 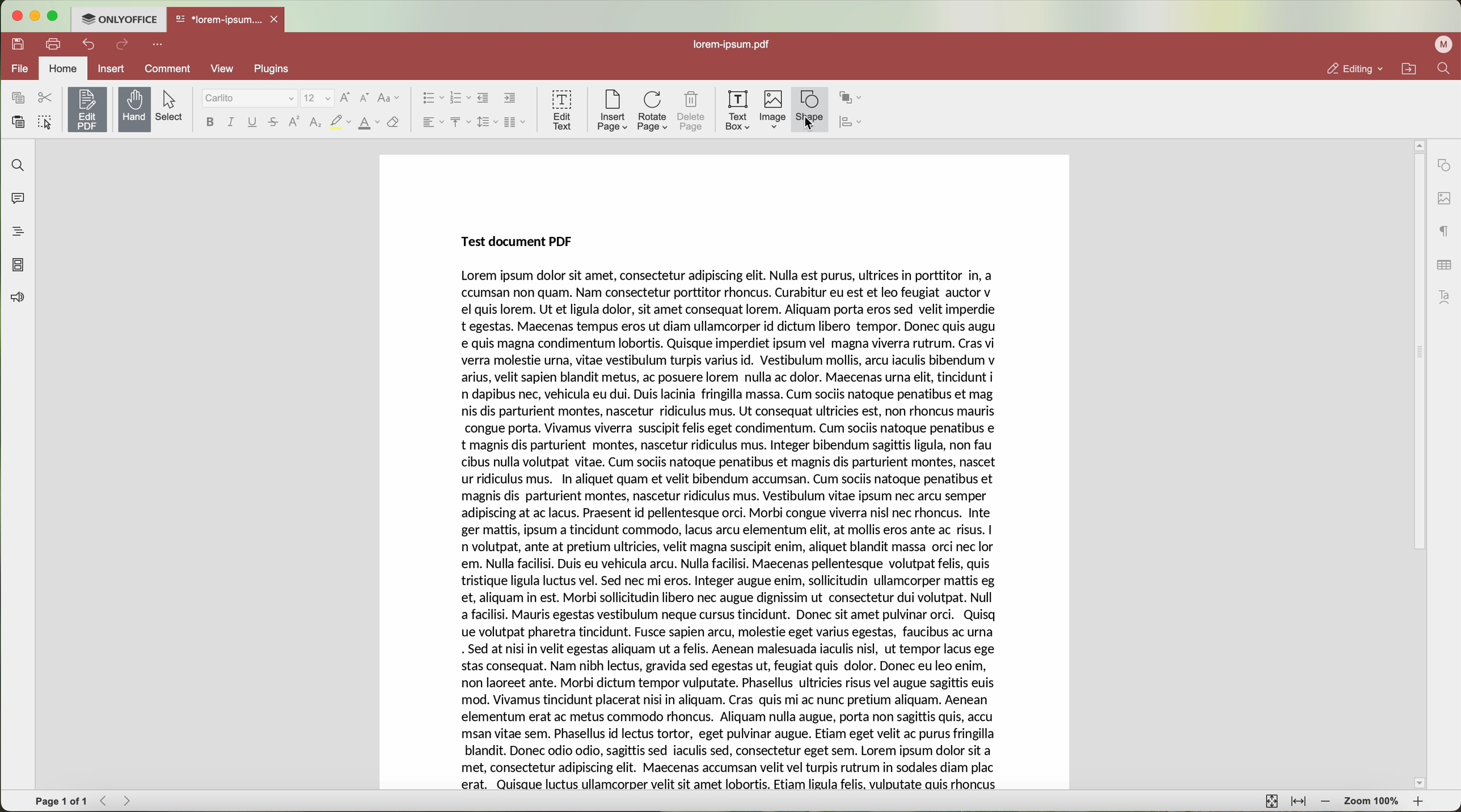 I want to click on bullets, so click(x=432, y=99).